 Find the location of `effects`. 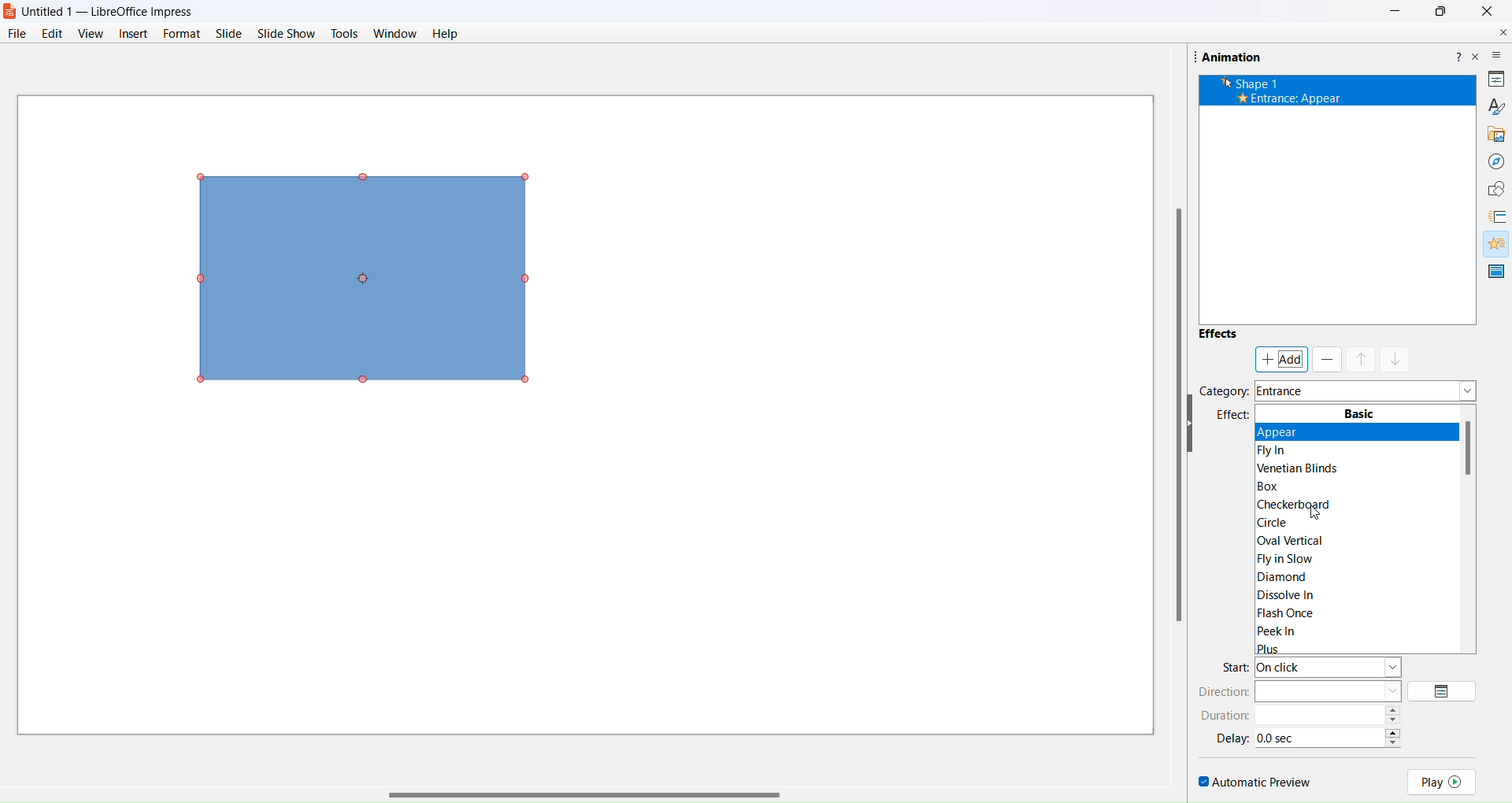

effects is located at coordinates (1218, 337).